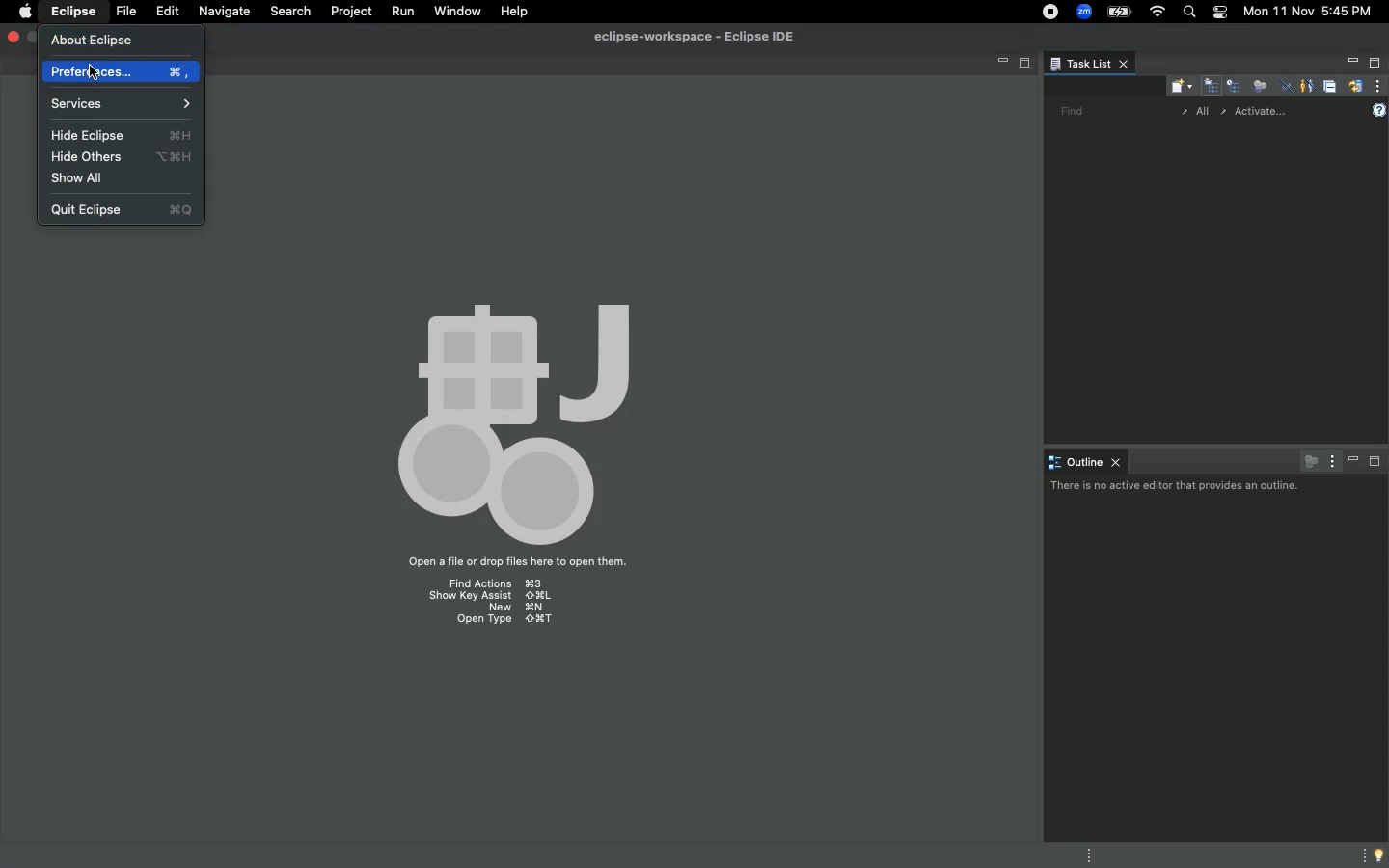  I want to click on Apple logo, so click(26, 12).